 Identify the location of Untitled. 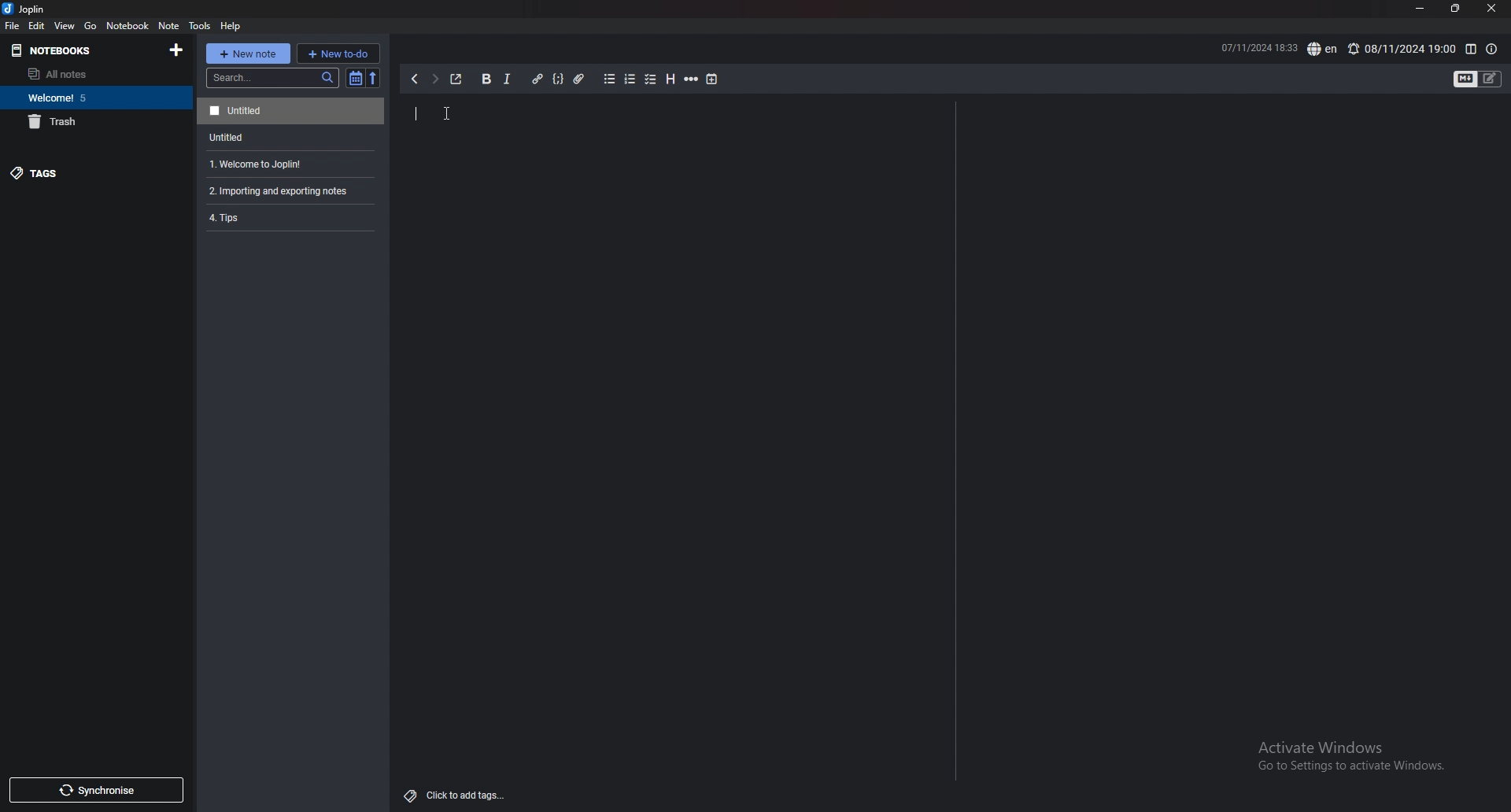
(290, 110).